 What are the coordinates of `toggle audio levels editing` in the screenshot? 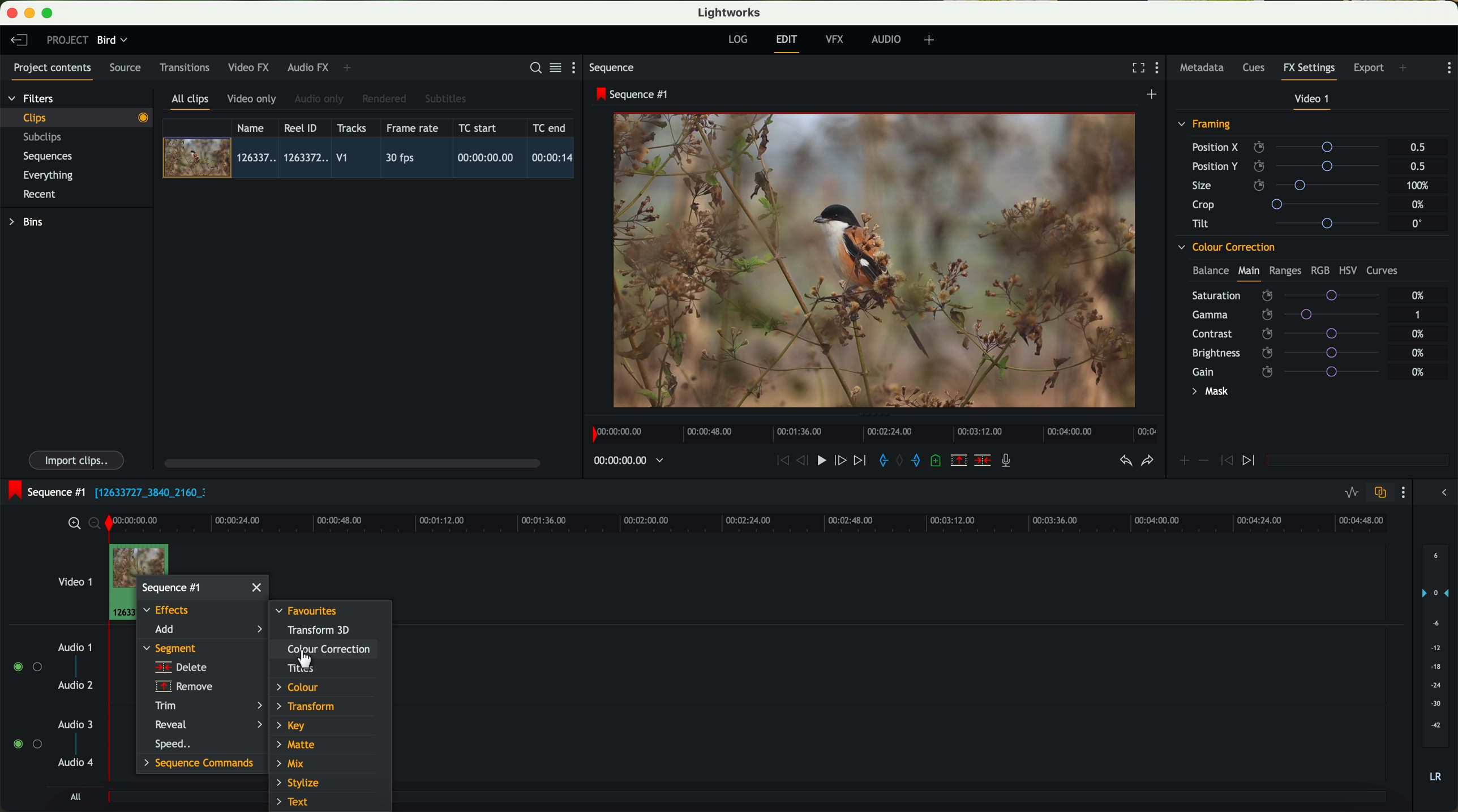 It's located at (1351, 494).